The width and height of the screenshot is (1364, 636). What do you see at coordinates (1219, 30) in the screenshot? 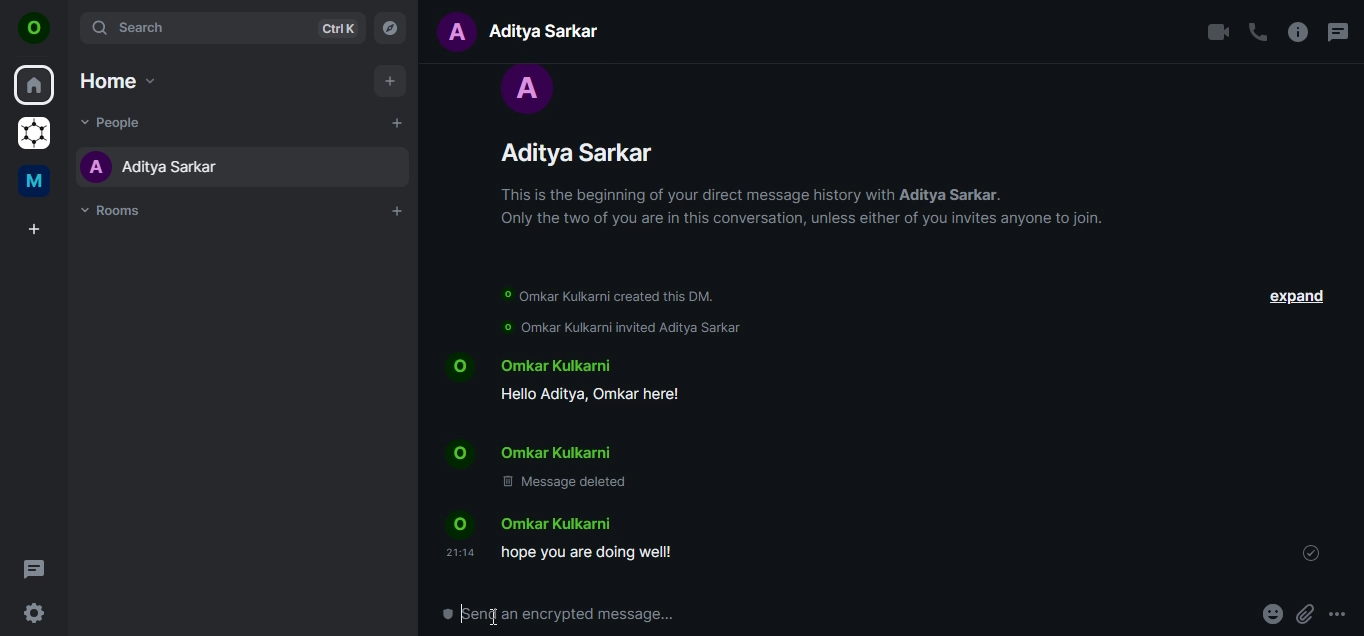
I see `video call` at bounding box center [1219, 30].